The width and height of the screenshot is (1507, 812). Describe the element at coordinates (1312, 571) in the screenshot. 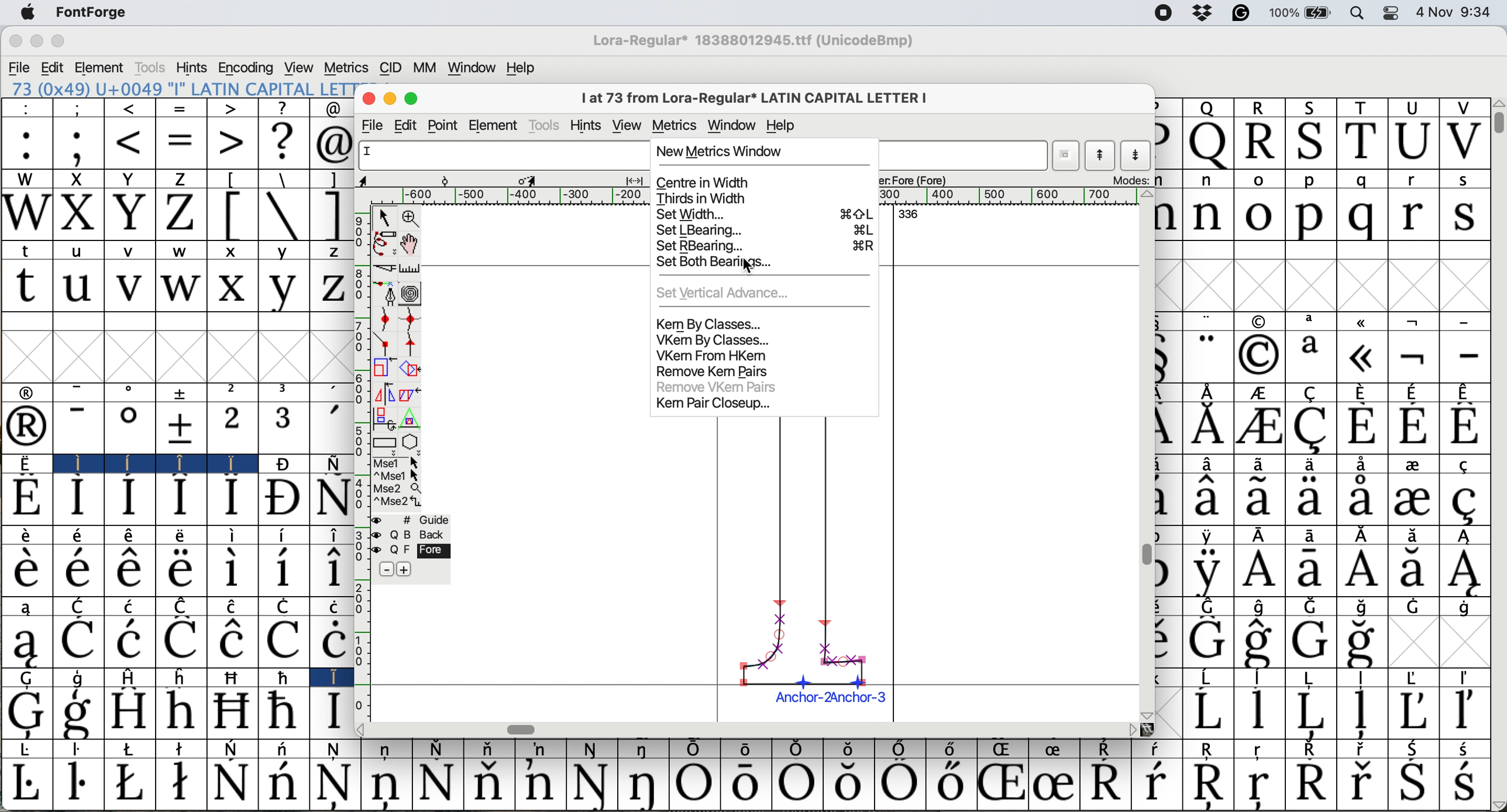

I see `Symbol` at that location.